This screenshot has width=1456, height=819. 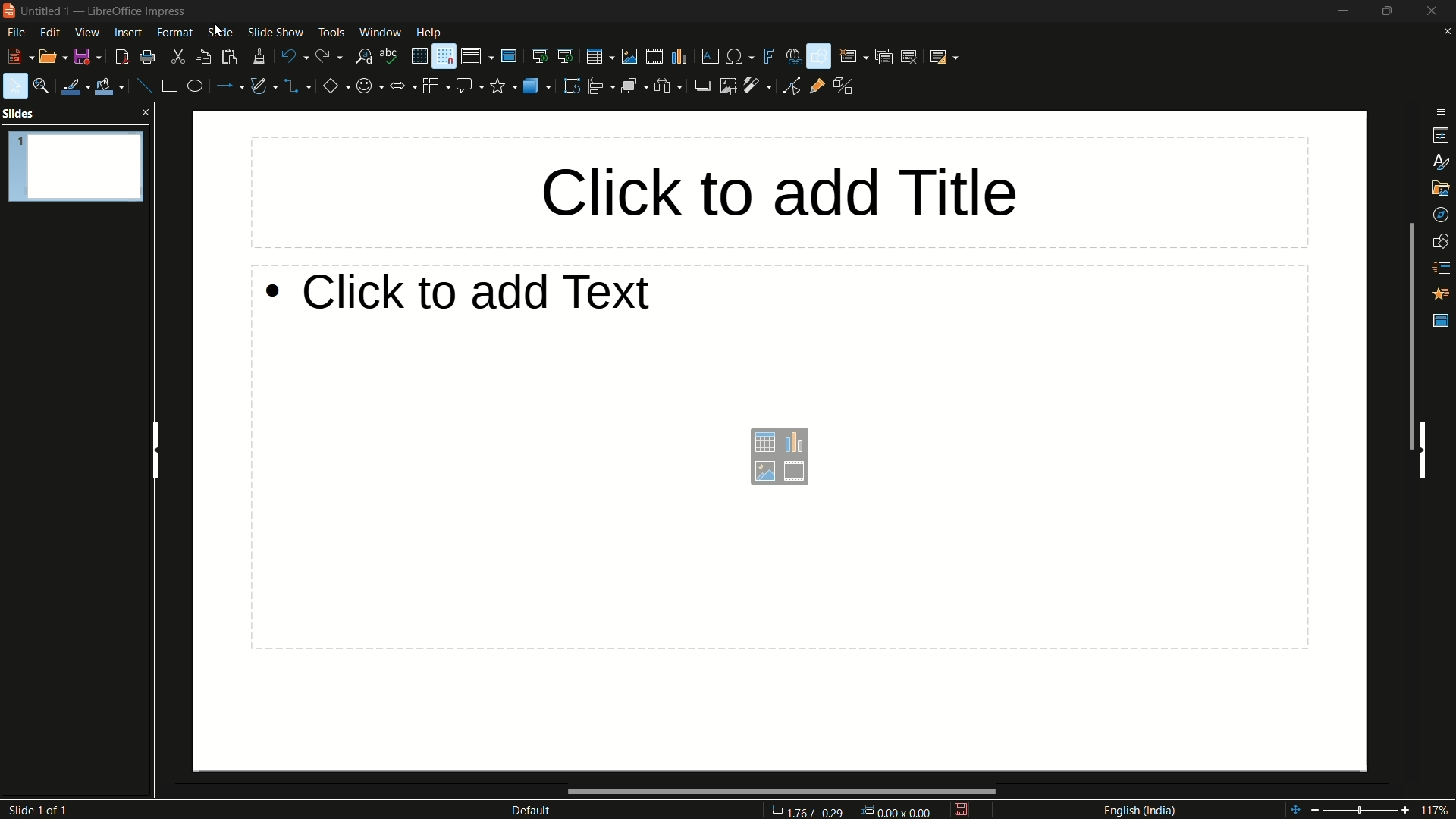 I want to click on find and replace, so click(x=361, y=58).